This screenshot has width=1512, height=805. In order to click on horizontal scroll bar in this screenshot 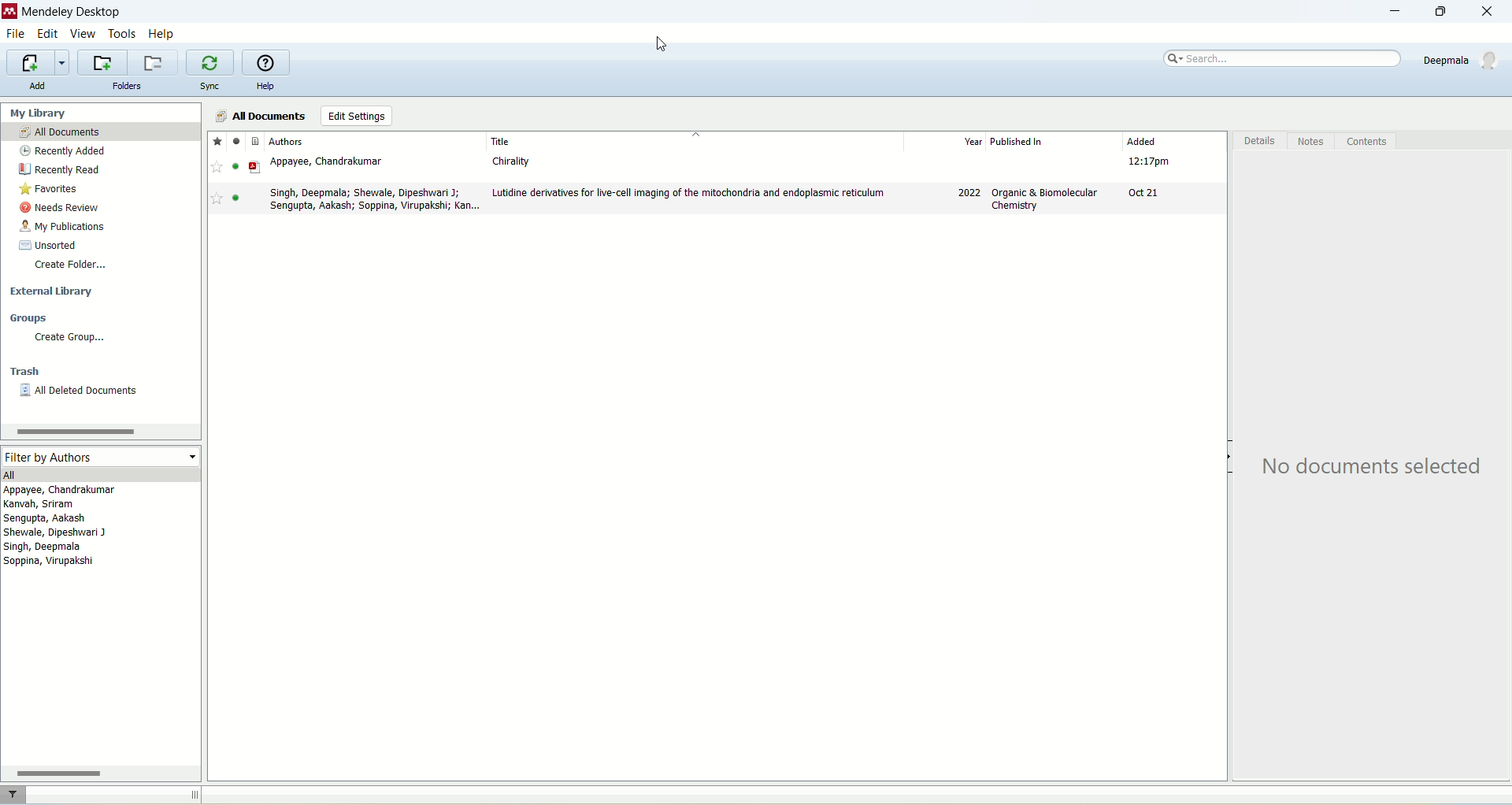, I will do `click(101, 429)`.